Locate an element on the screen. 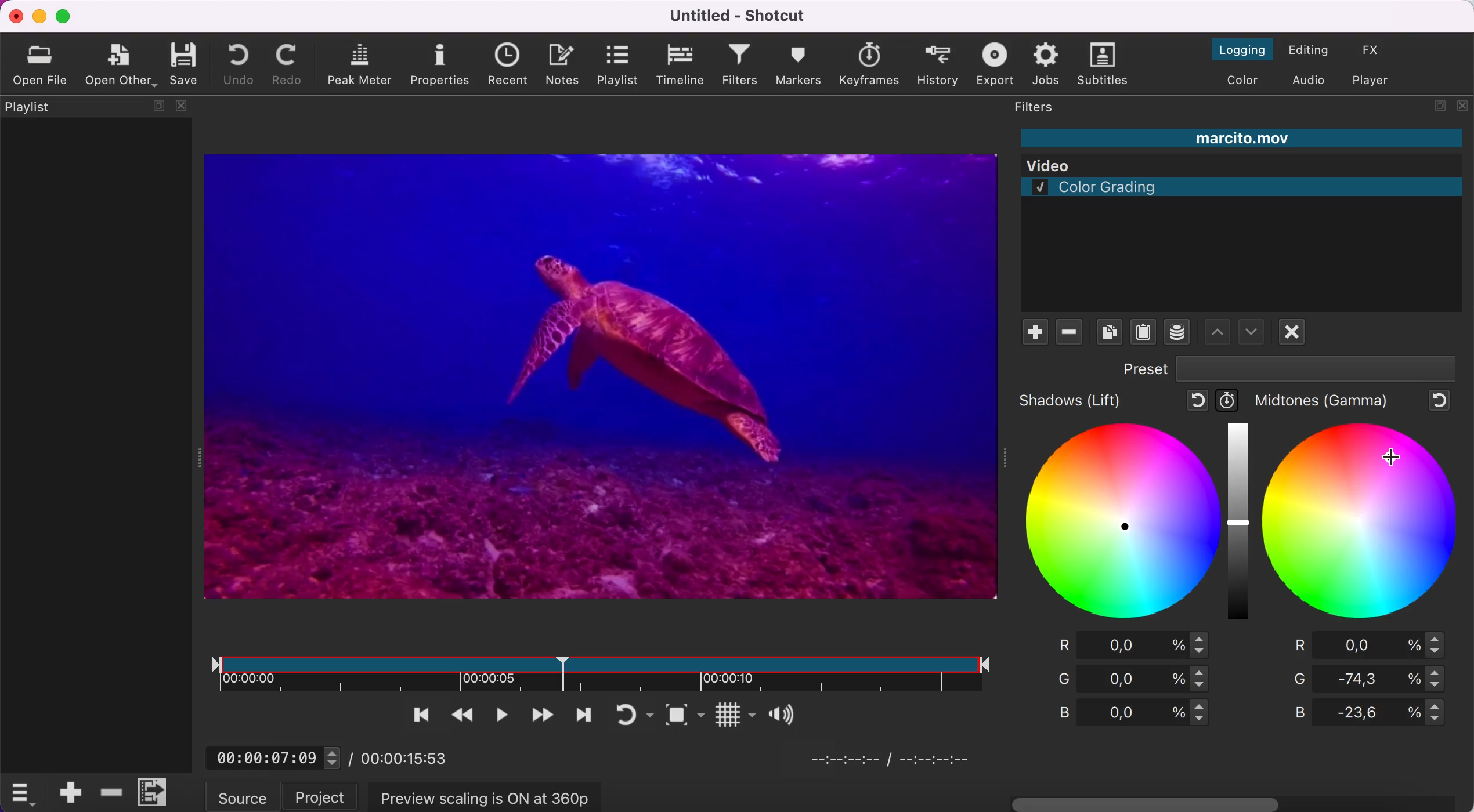 The image size is (1474, 812). 00:00:07:09 is located at coordinates (273, 754).